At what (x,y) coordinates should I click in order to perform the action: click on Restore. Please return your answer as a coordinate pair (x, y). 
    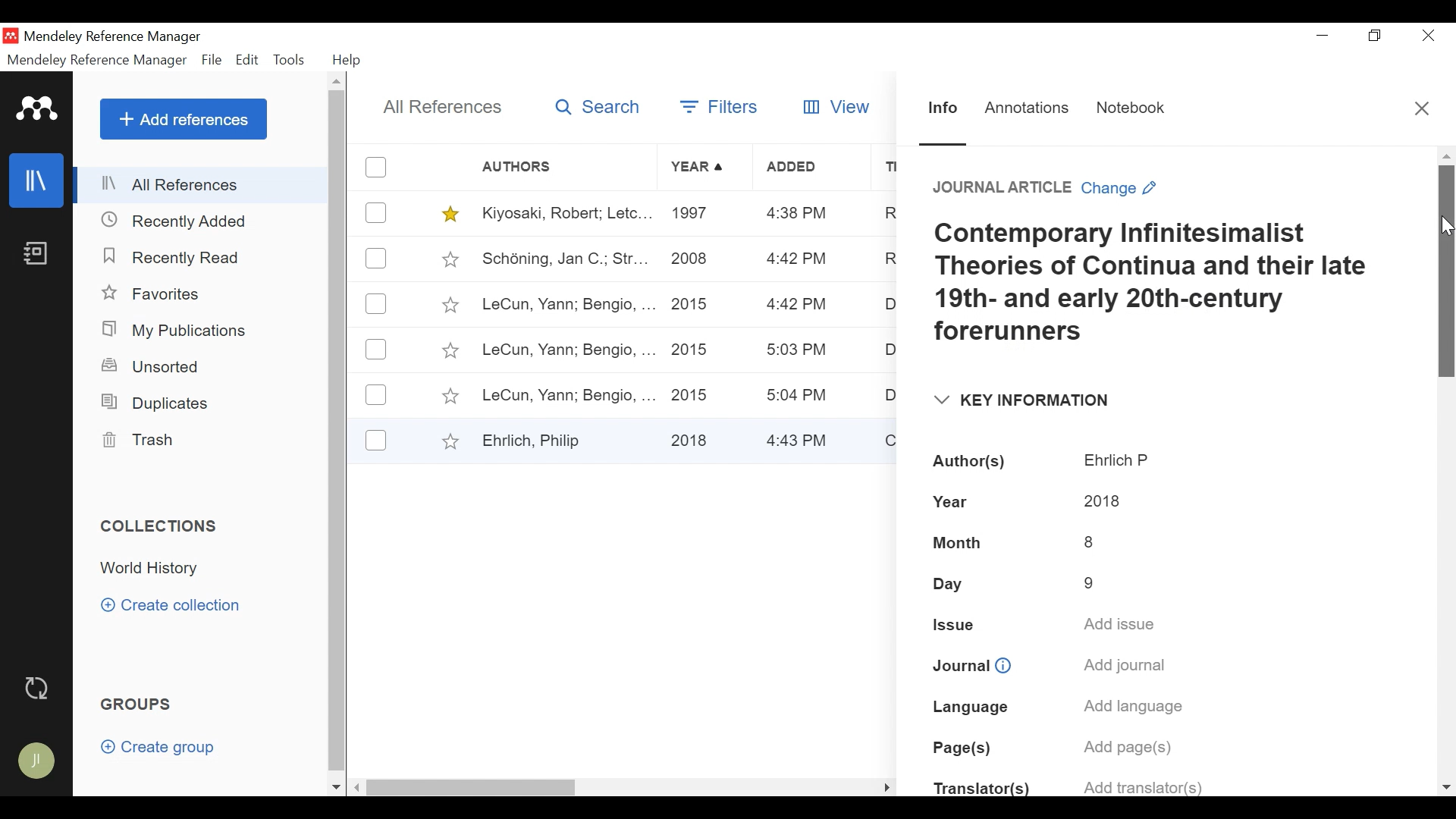
    Looking at the image, I should click on (1375, 36).